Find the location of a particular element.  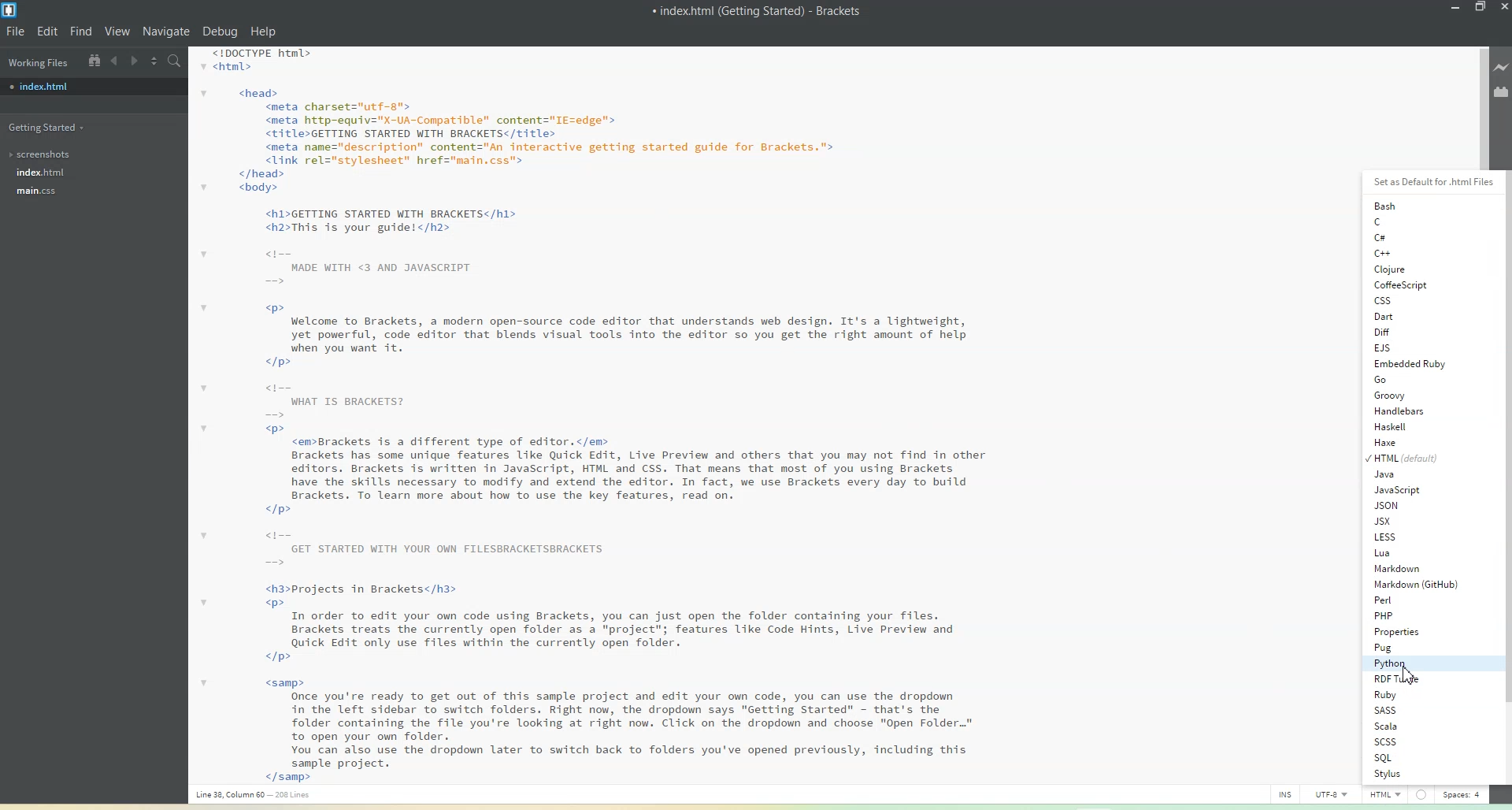

Embedded Ruby is located at coordinates (1409, 364).